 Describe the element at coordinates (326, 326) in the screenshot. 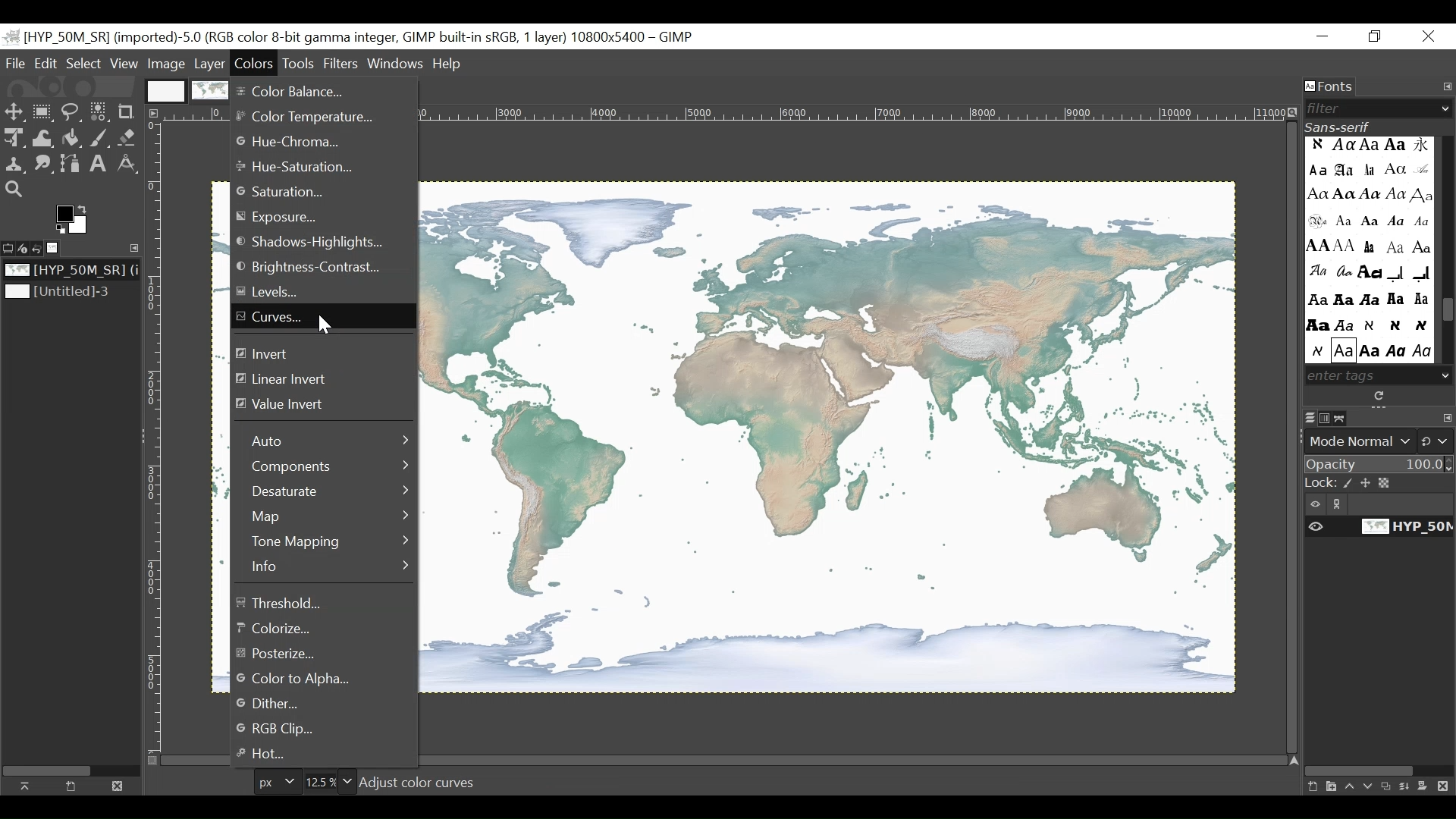

I see `cursor` at that location.